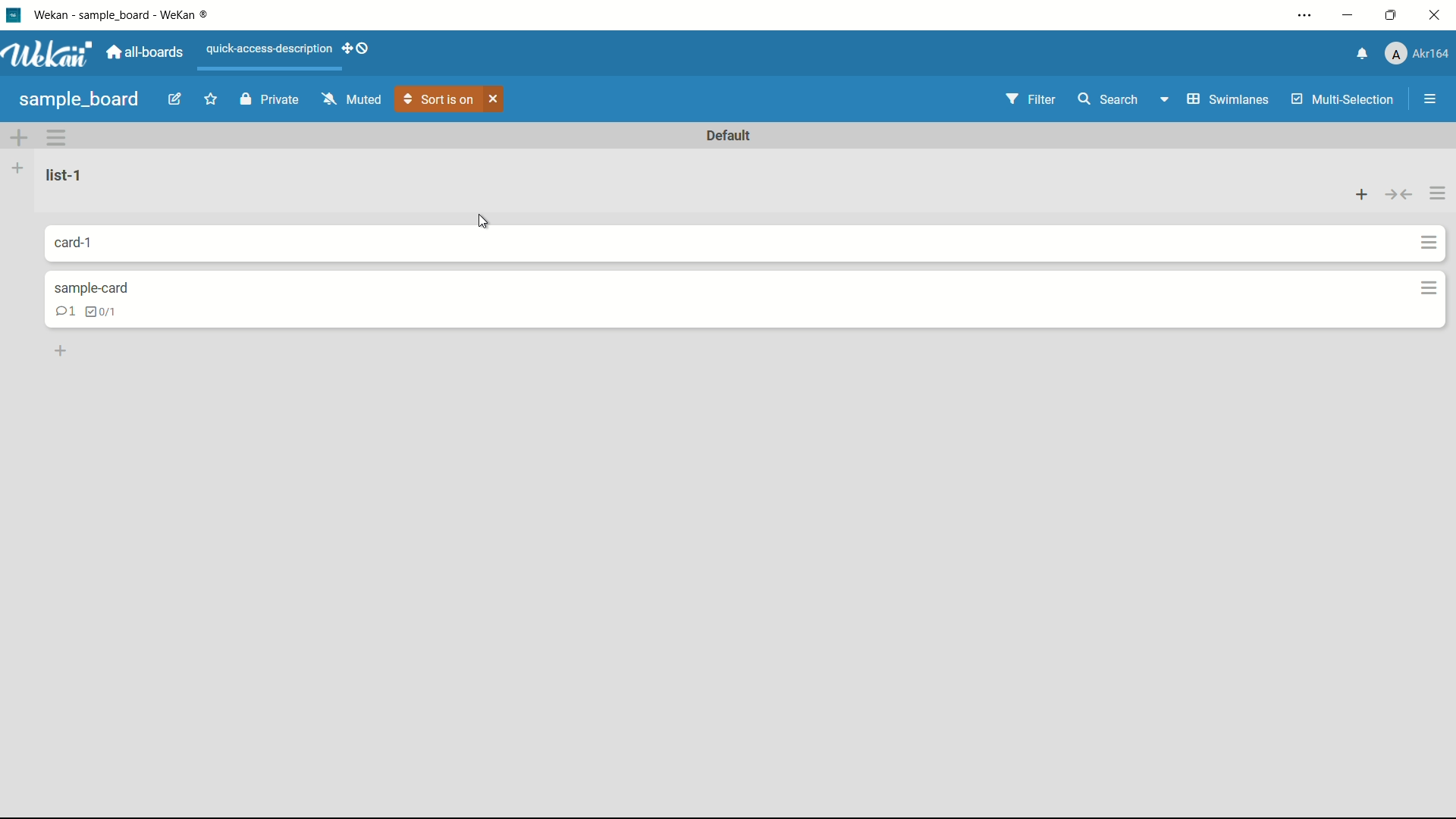  What do you see at coordinates (1350, 15) in the screenshot?
I see `minimize` at bounding box center [1350, 15].